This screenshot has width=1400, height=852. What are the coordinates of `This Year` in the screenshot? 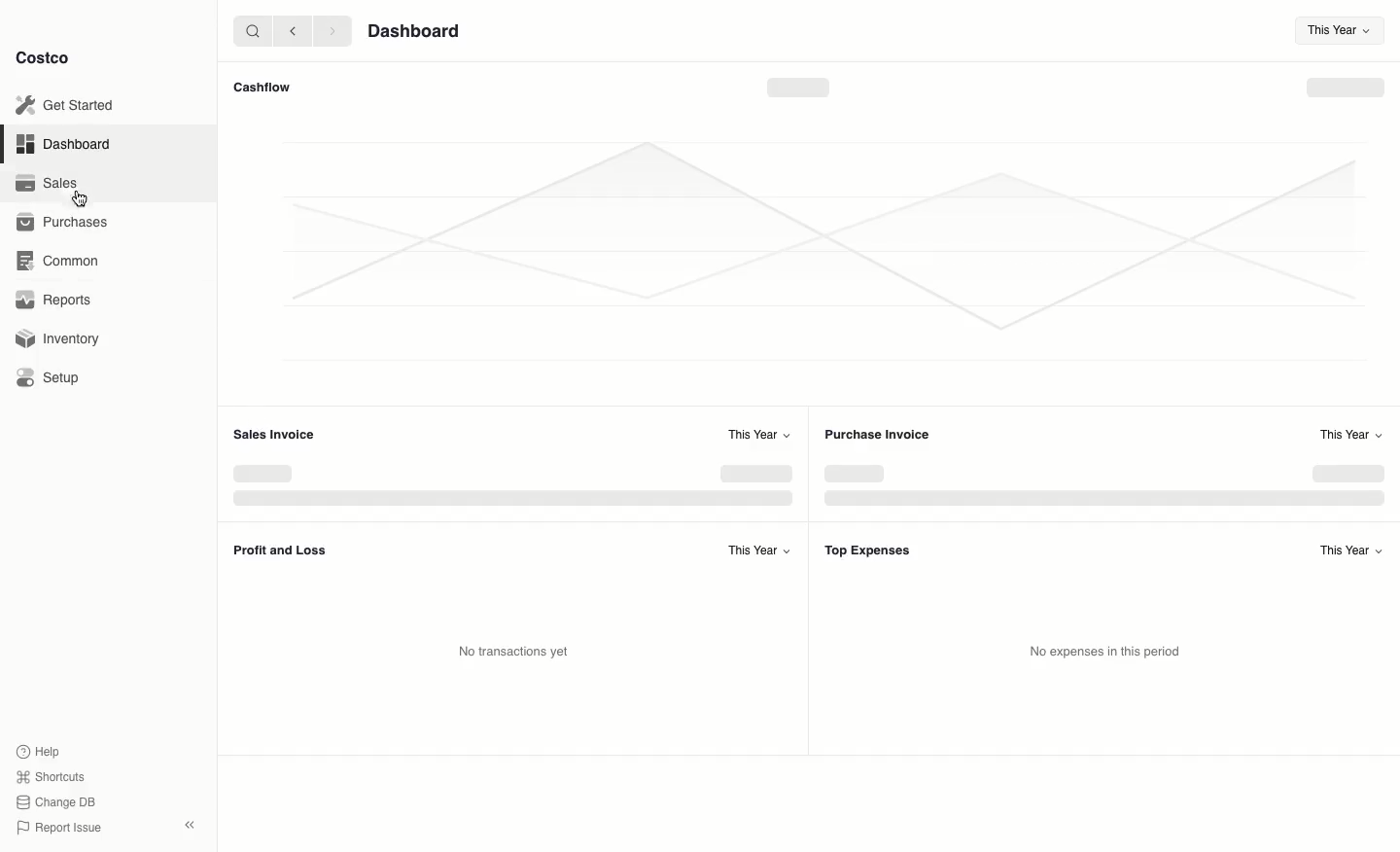 It's located at (1352, 435).